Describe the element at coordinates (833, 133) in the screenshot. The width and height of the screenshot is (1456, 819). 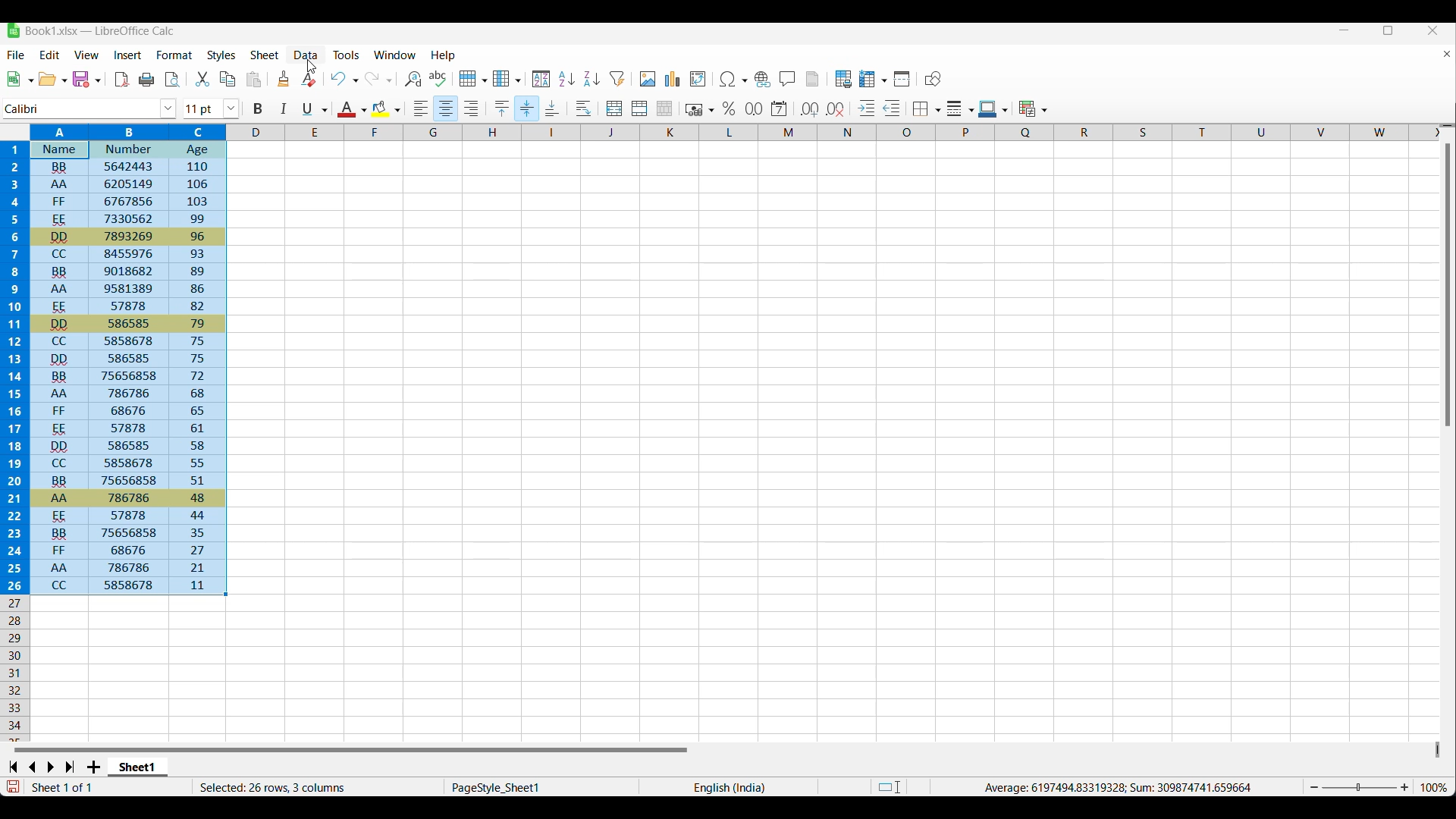
I see `Columns marker` at that location.